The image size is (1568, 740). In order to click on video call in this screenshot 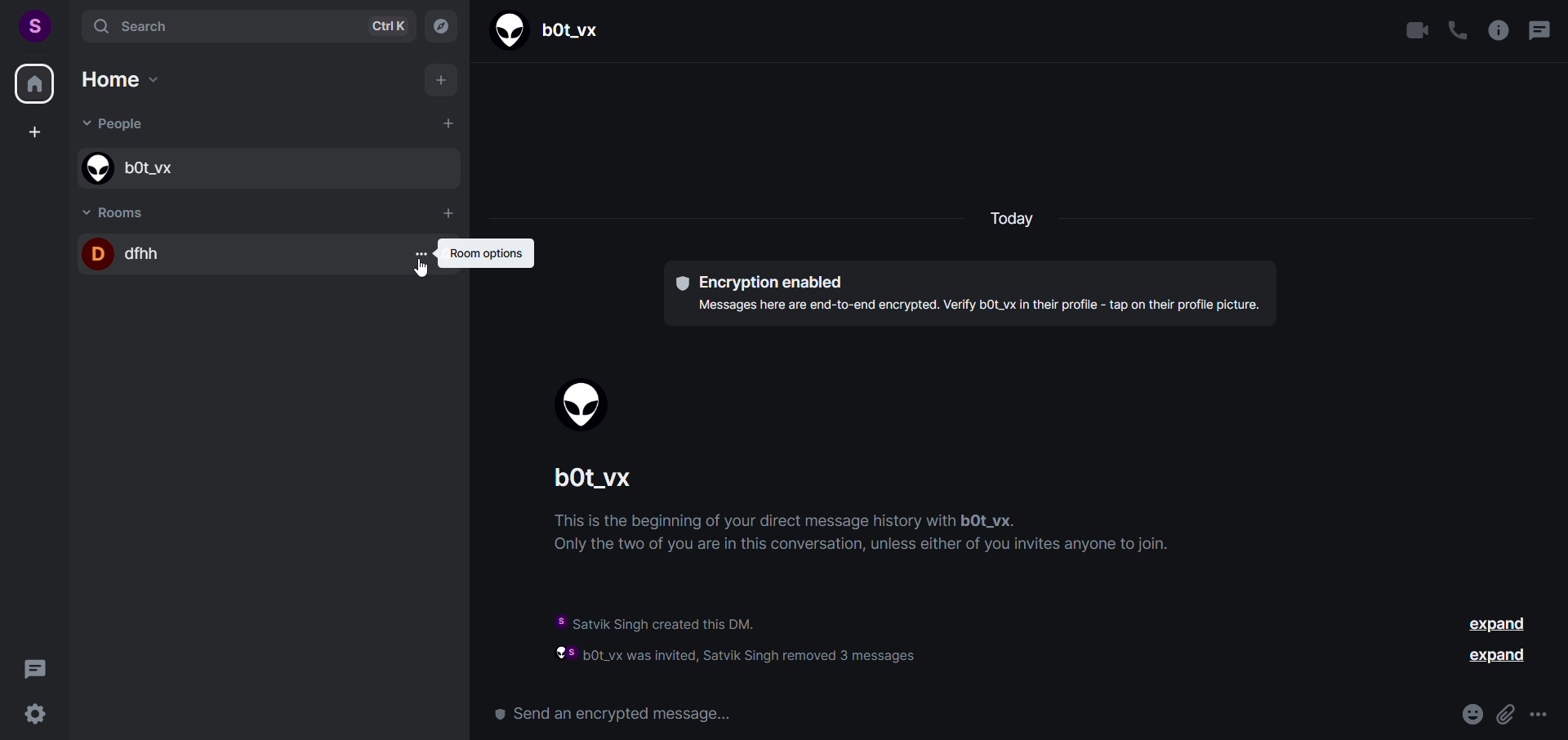, I will do `click(1418, 31)`.